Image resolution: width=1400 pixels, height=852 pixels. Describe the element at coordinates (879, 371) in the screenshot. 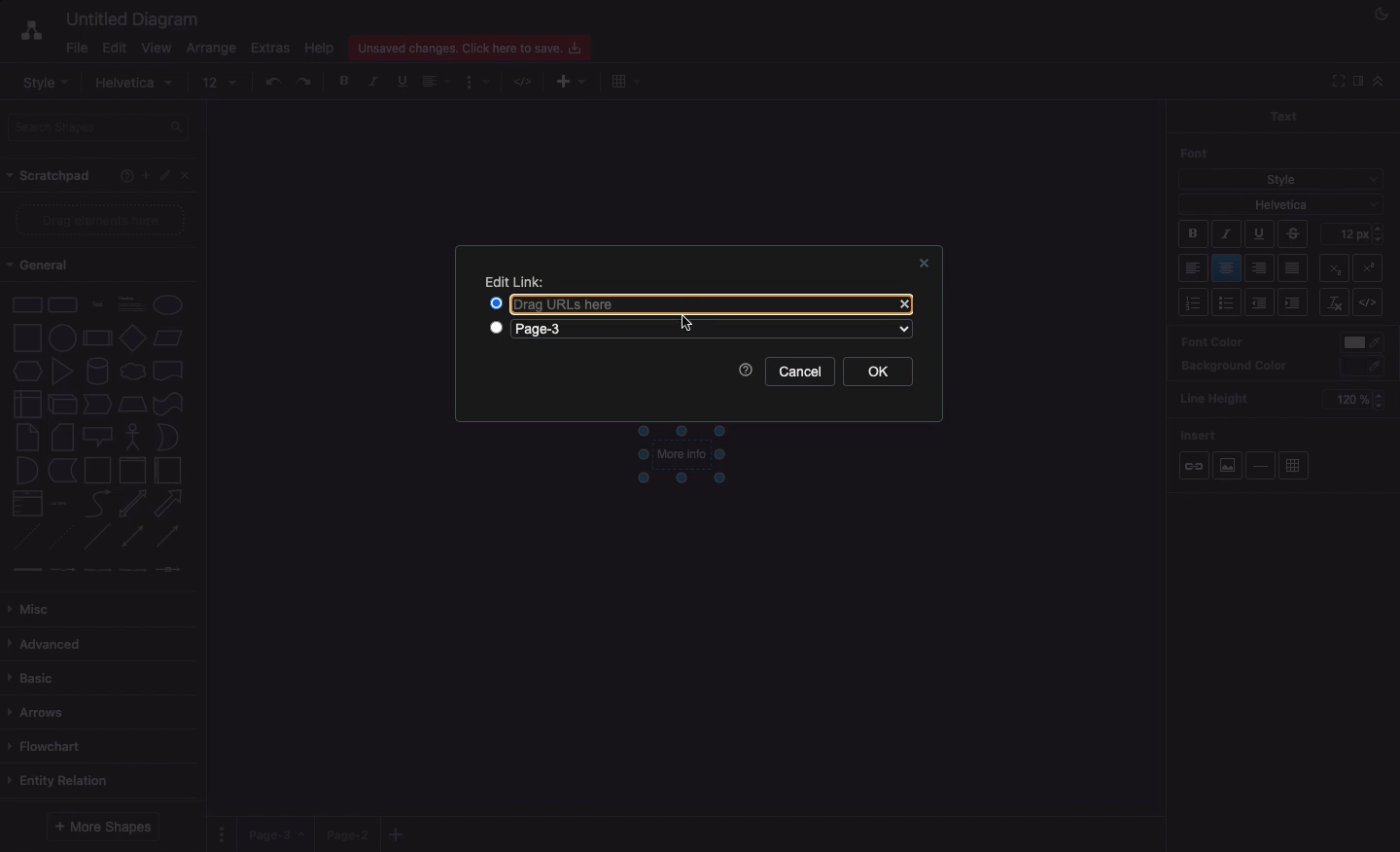

I see `Ok` at that location.